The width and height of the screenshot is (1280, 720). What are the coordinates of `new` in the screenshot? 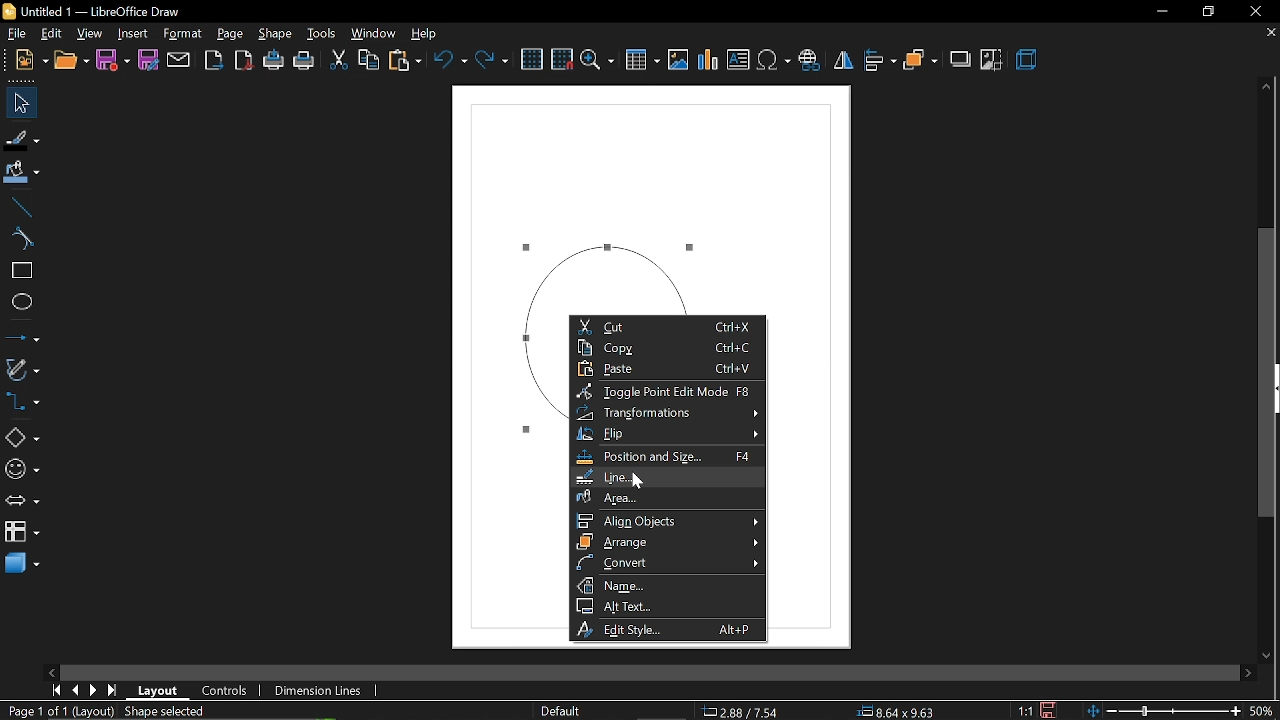 It's located at (72, 61).